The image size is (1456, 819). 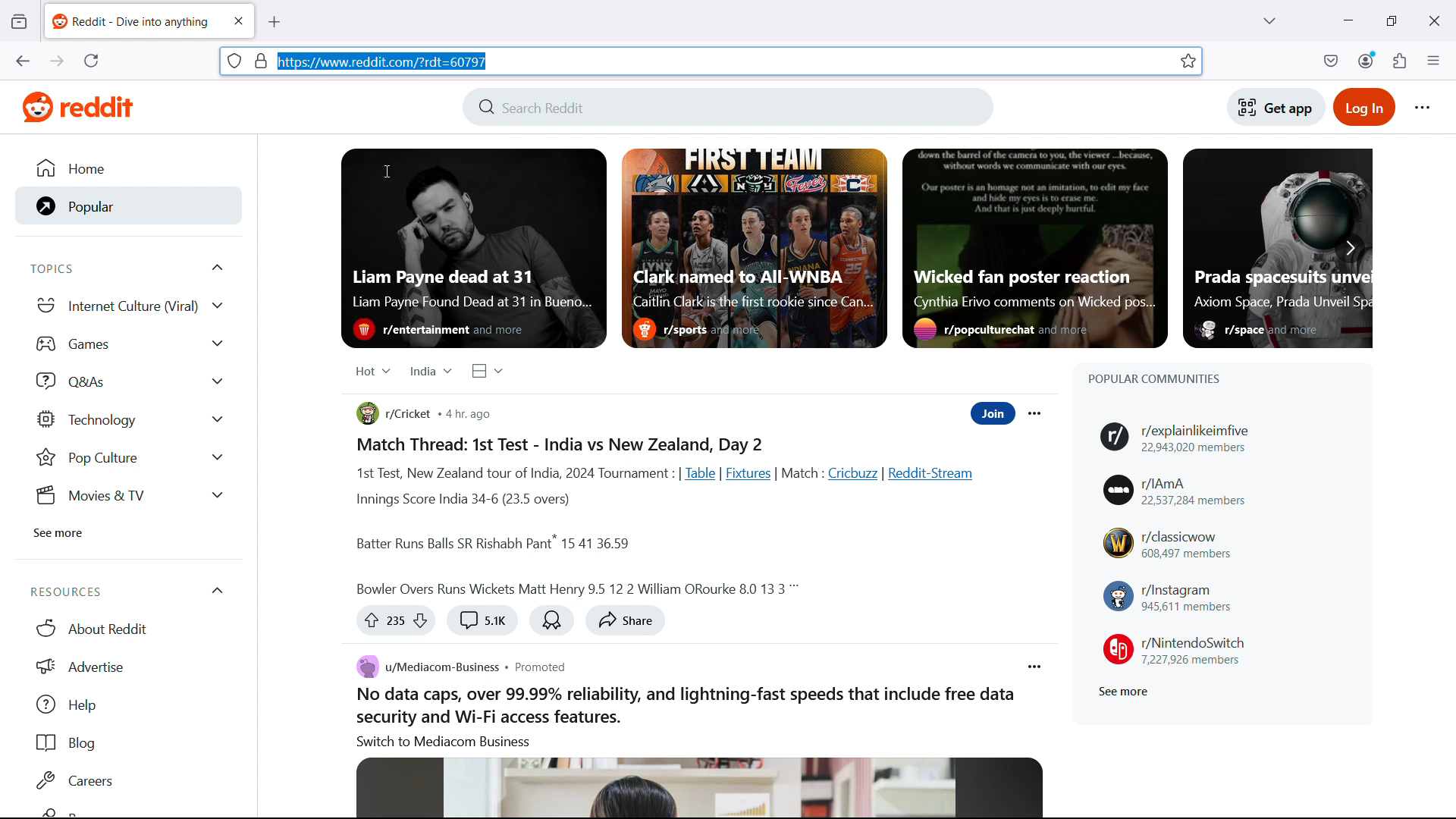 I want to click on Post publication time, so click(x=471, y=414).